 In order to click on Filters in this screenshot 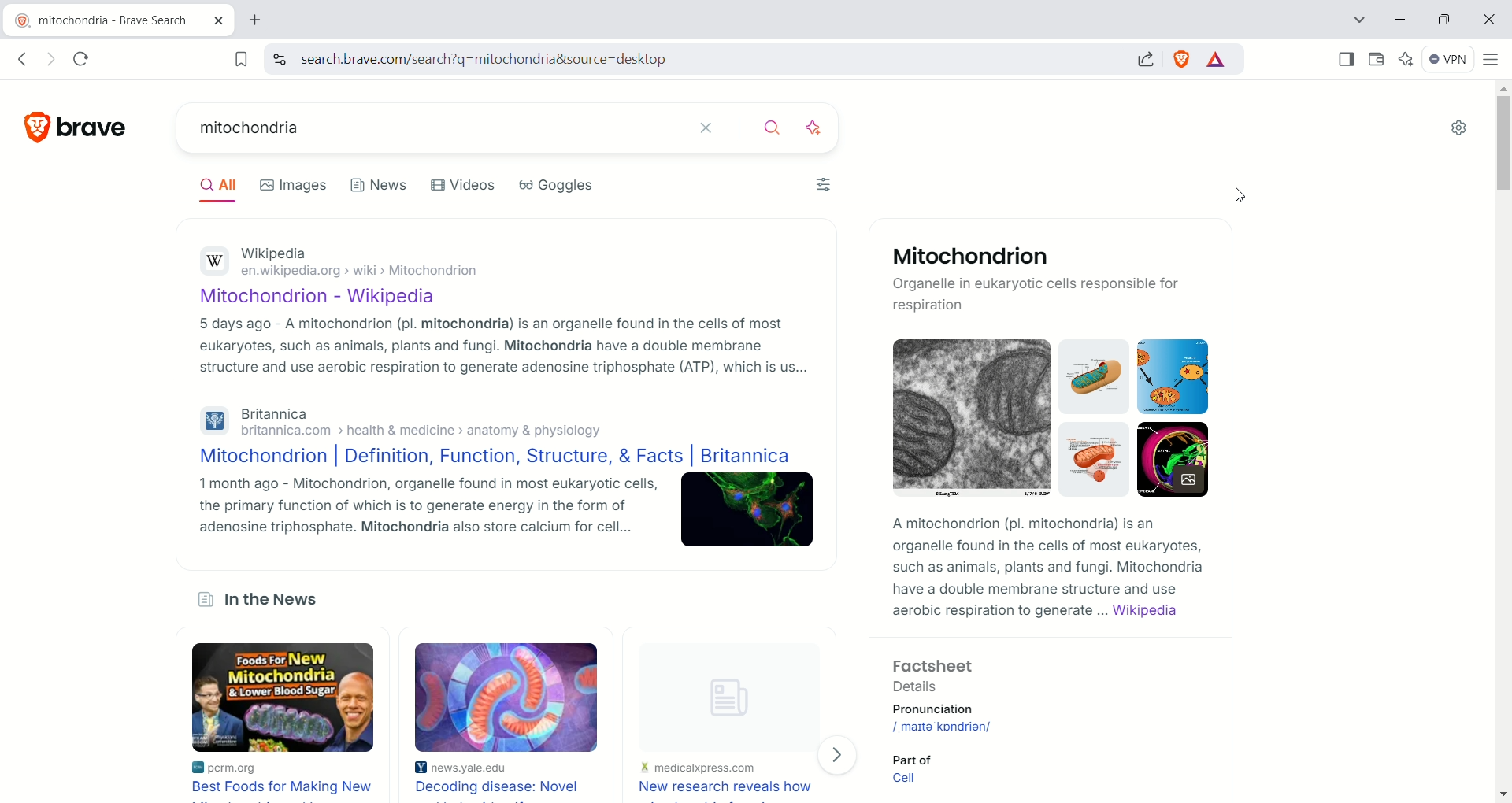, I will do `click(825, 185)`.